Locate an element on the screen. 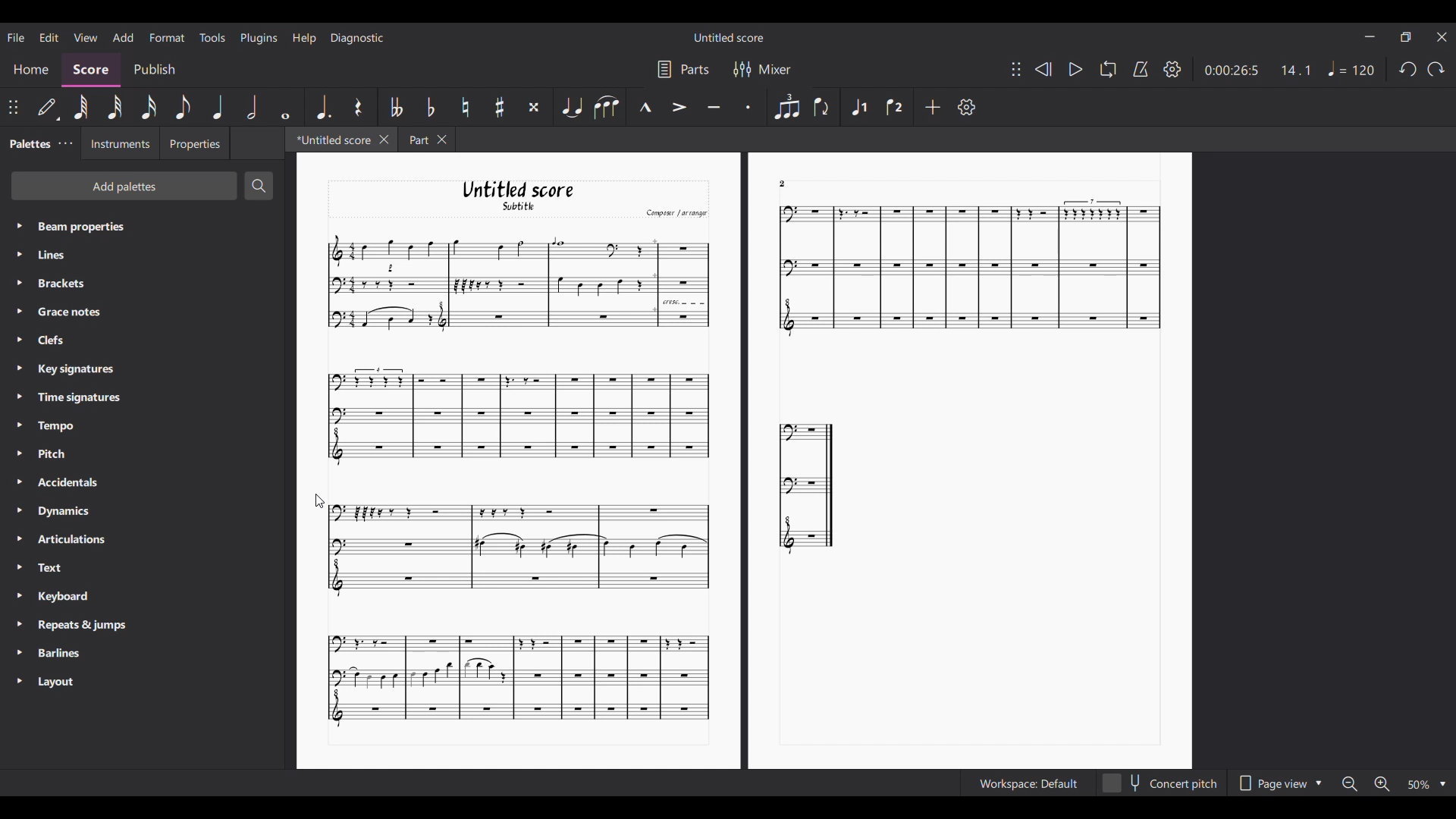  Flip direction is located at coordinates (822, 106).